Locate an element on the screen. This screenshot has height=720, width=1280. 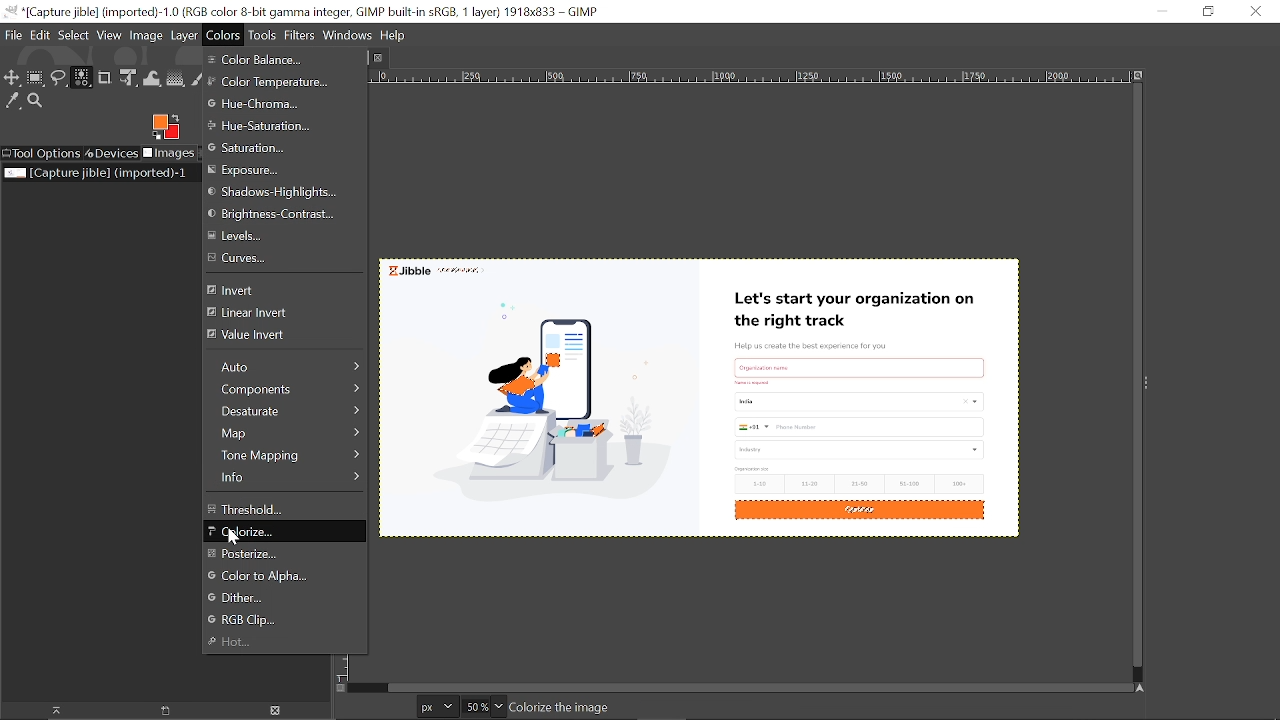
Tool options is located at coordinates (41, 154).